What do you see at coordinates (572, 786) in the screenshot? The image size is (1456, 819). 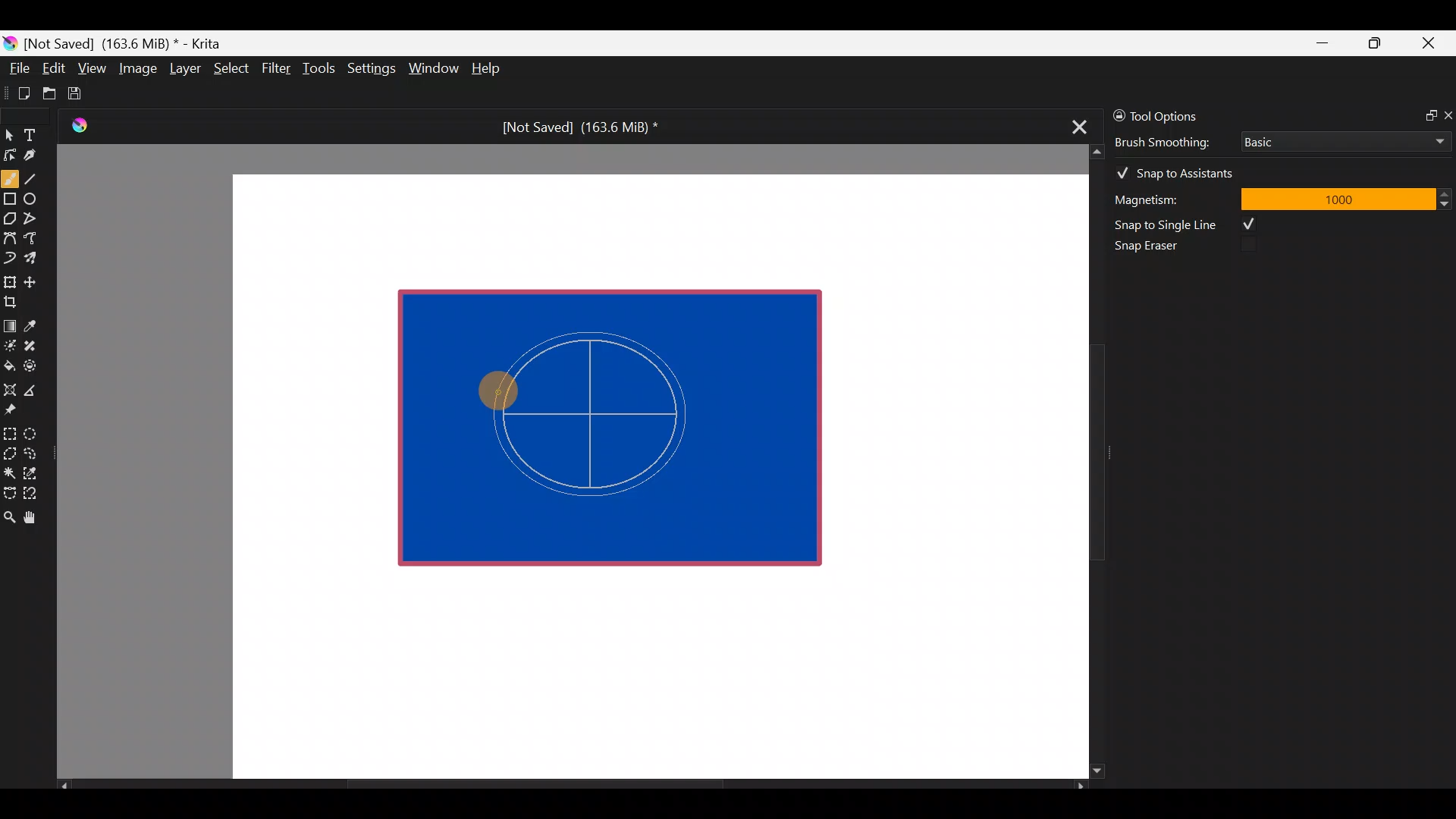 I see `Scroll bar` at bounding box center [572, 786].